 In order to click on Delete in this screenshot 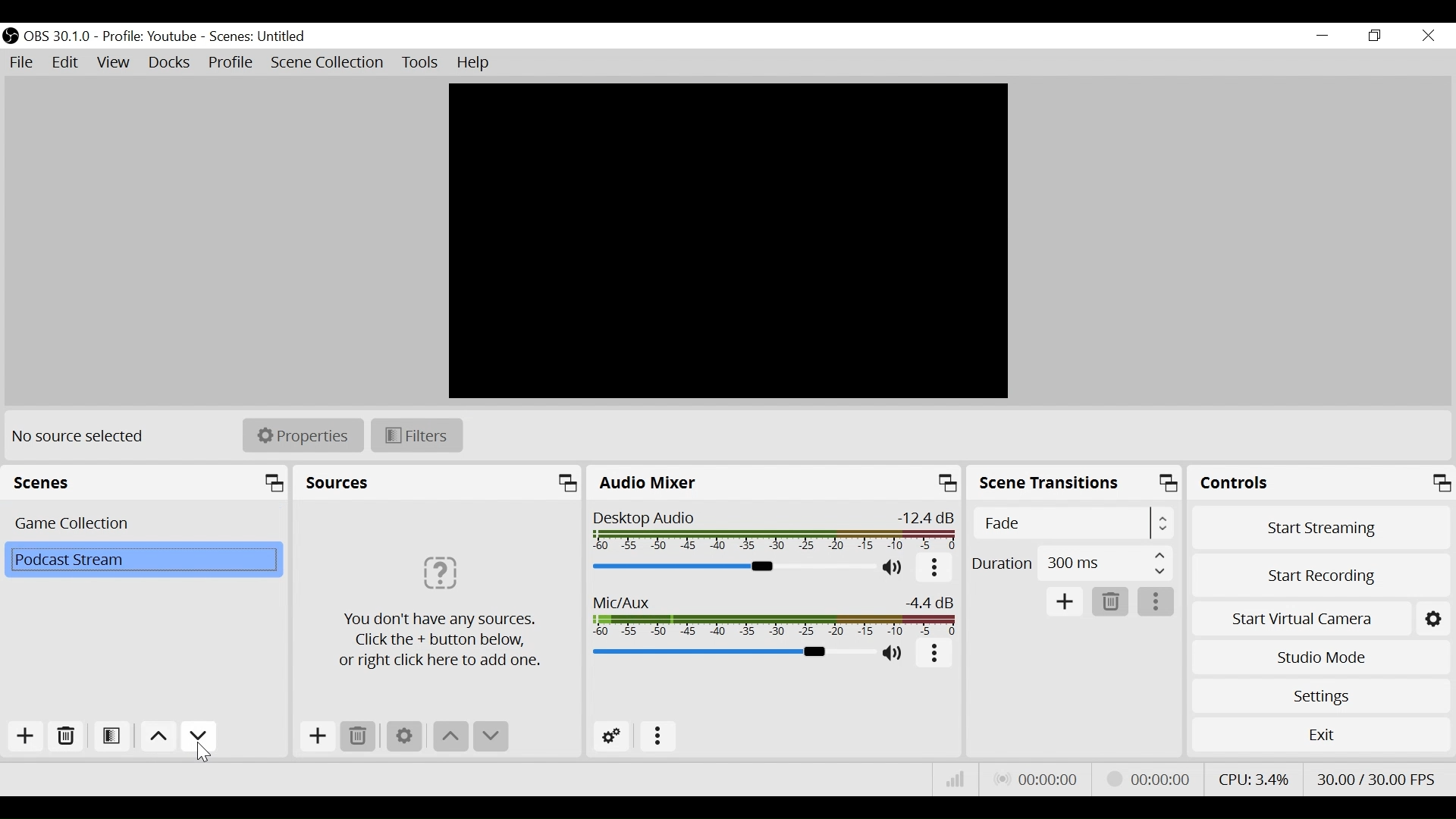, I will do `click(67, 736)`.